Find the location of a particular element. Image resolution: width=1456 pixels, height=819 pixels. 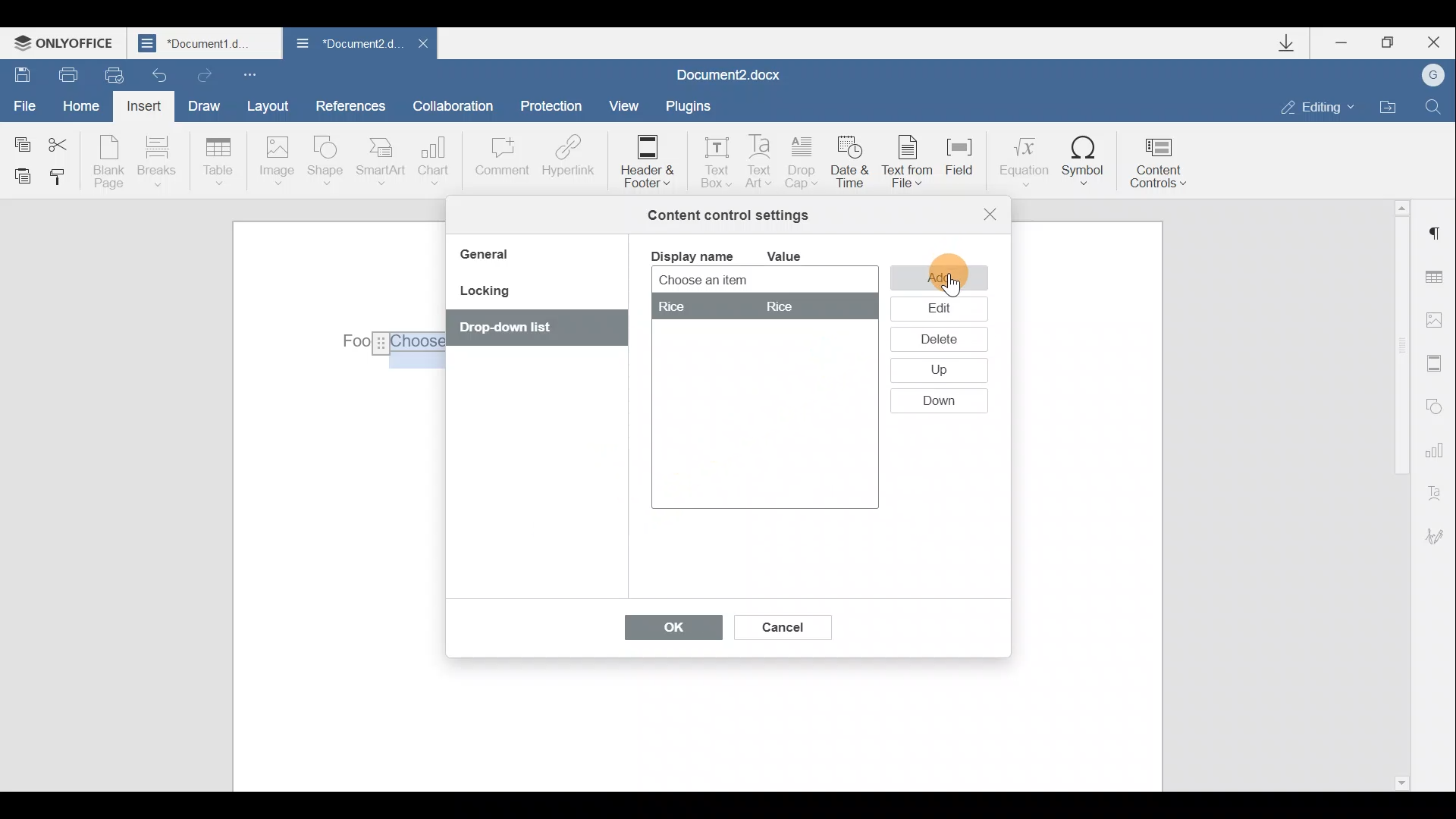

Text Art is located at coordinates (761, 162).